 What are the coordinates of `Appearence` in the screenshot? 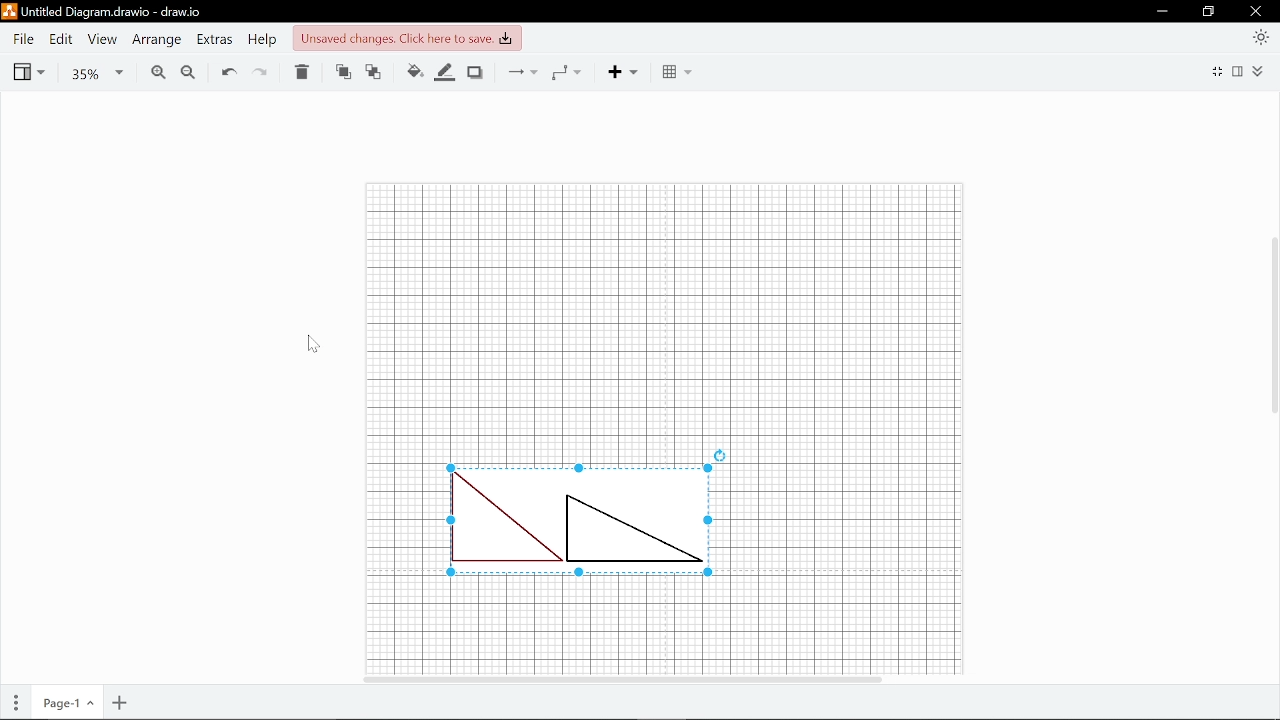 It's located at (1258, 37).